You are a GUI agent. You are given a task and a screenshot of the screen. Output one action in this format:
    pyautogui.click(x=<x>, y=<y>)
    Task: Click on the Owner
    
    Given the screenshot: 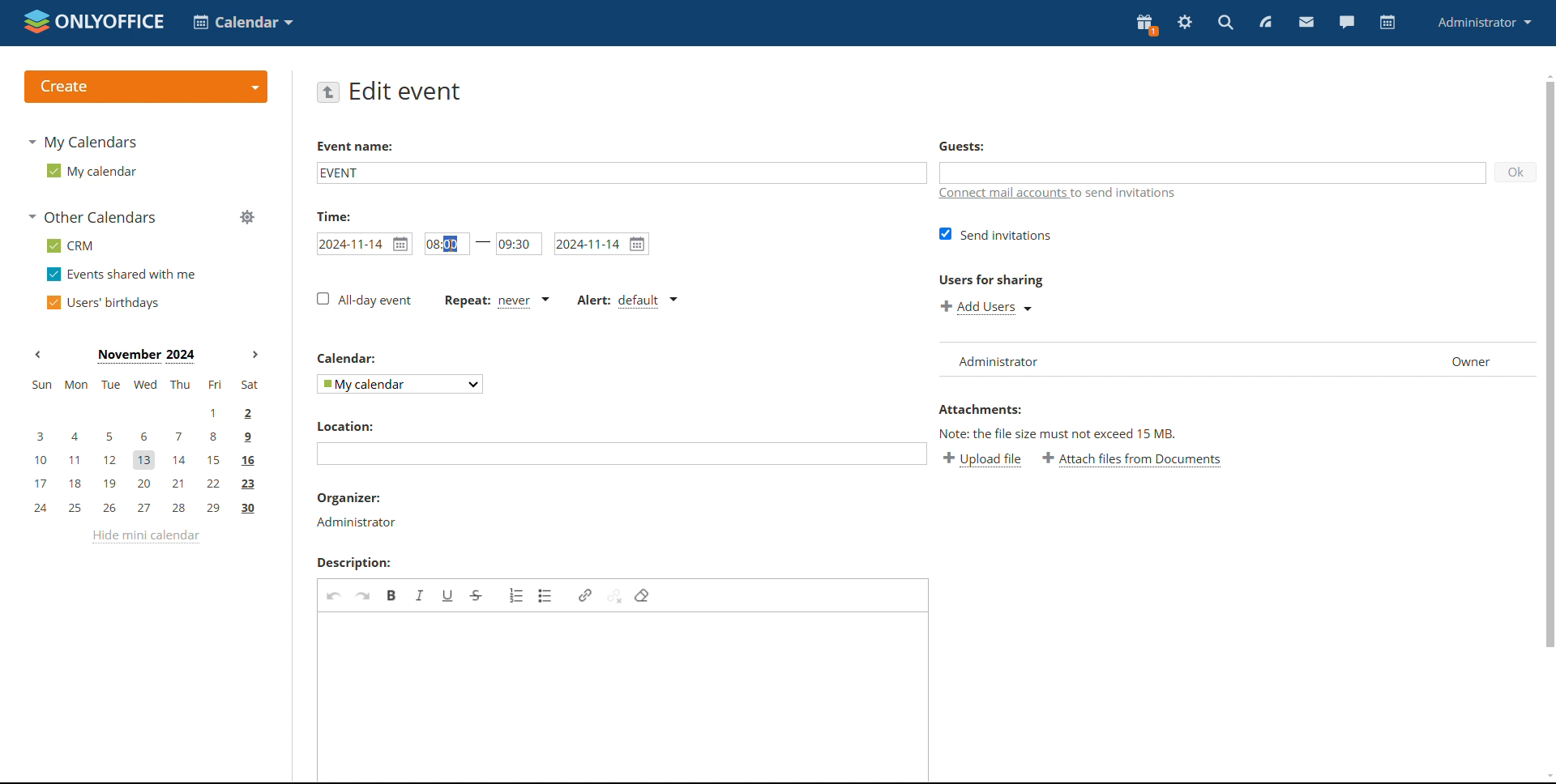 What is the action you would take?
    pyautogui.click(x=1481, y=361)
    